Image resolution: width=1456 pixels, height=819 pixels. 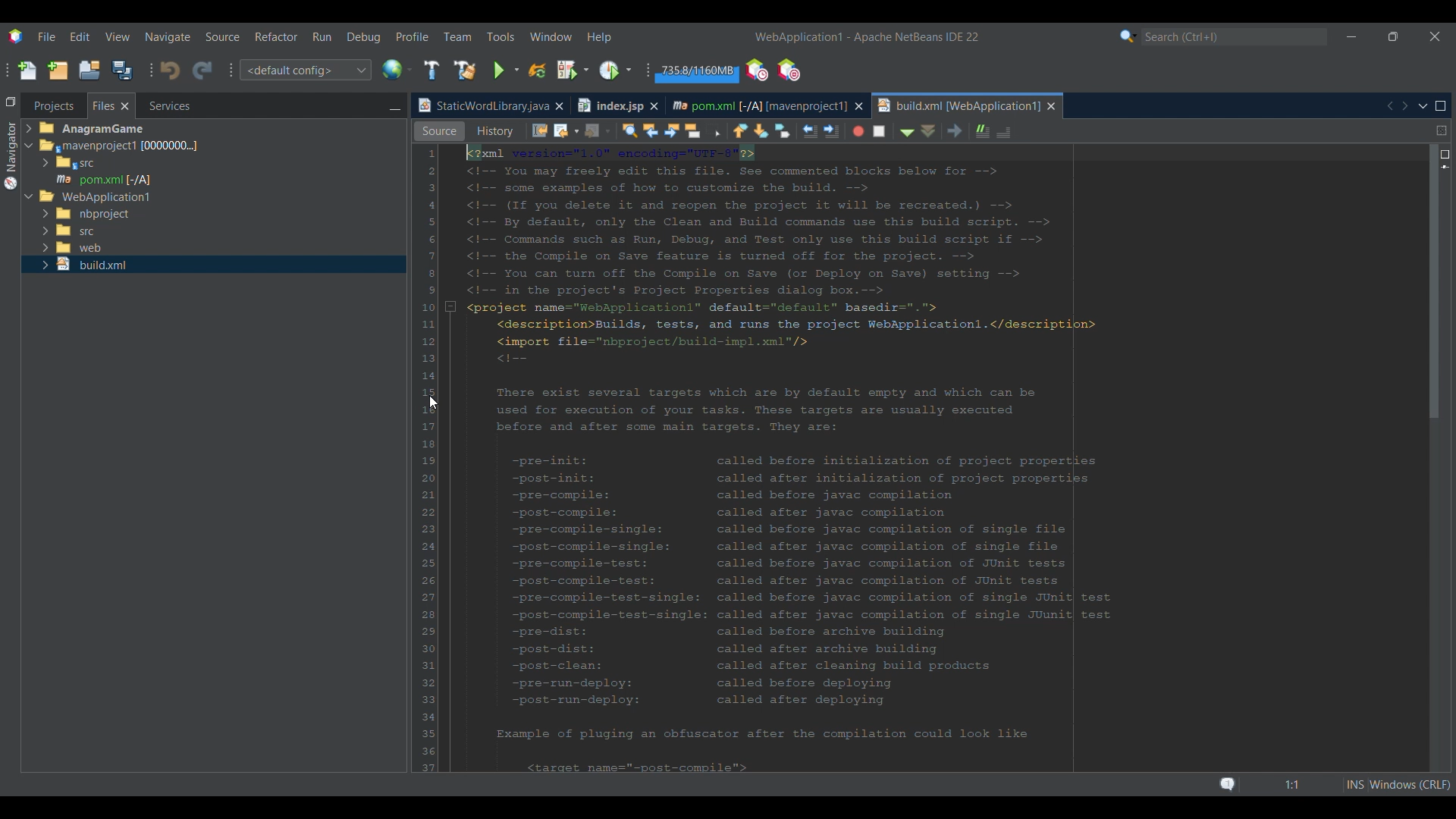 What do you see at coordinates (58, 70) in the screenshot?
I see `New project` at bounding box center [58, 70].